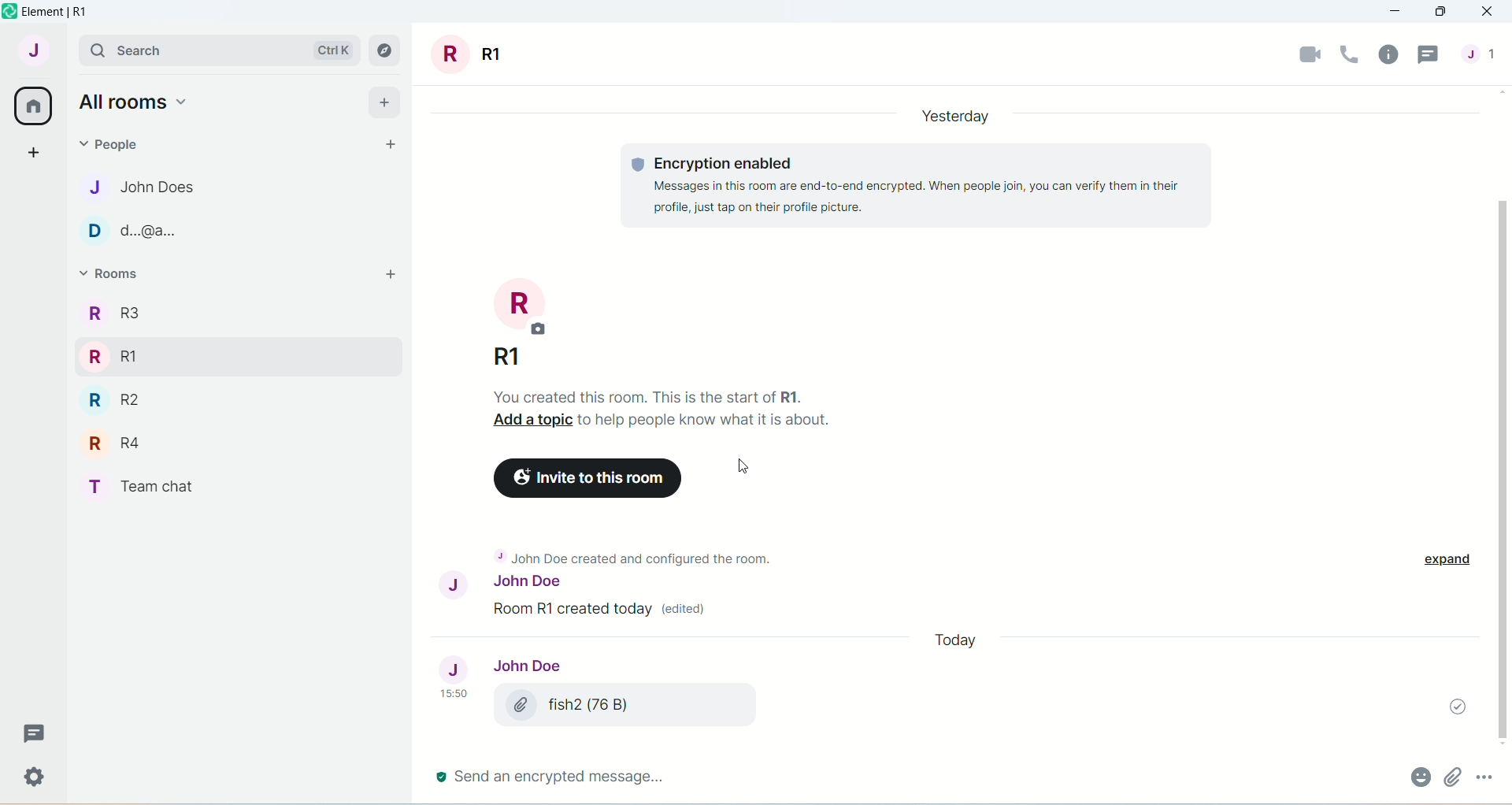 The image size is (1512, 805). Describe the element at coordinates (1451, 777) in the screenshot. I see `attachment` at that location.